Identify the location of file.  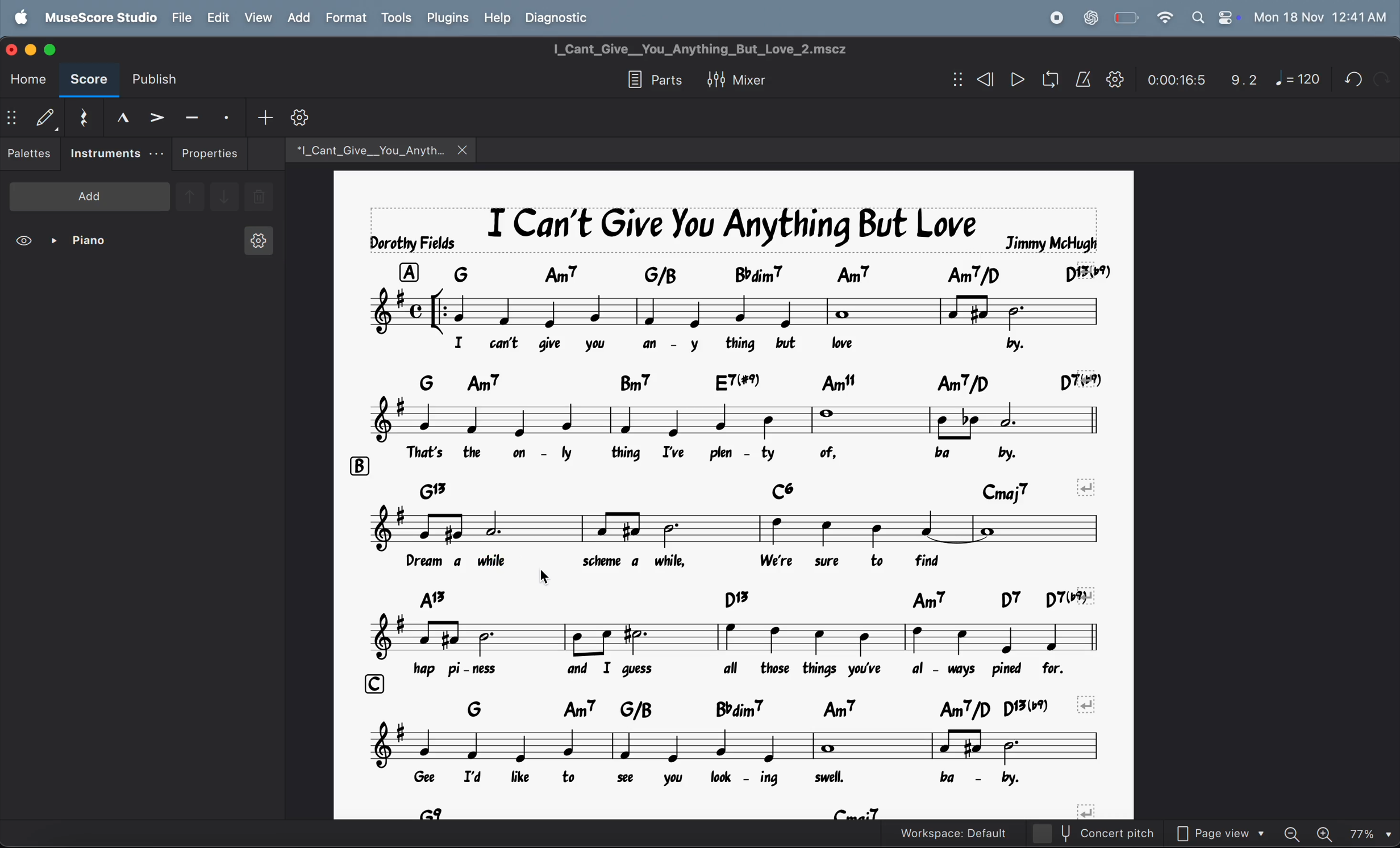
(181, 19).